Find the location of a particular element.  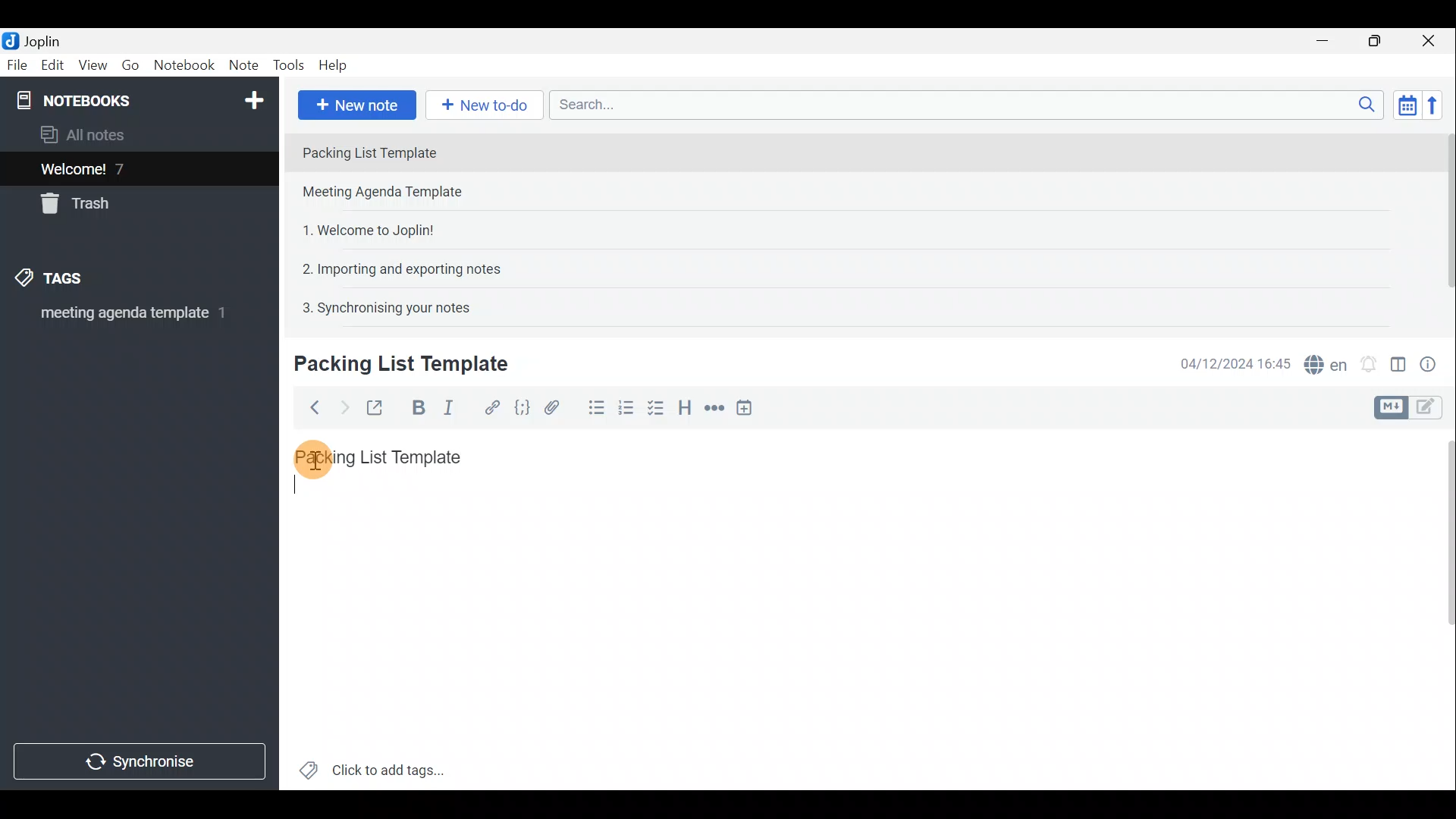

meeting agenda template is located at coordinates (130, 318).